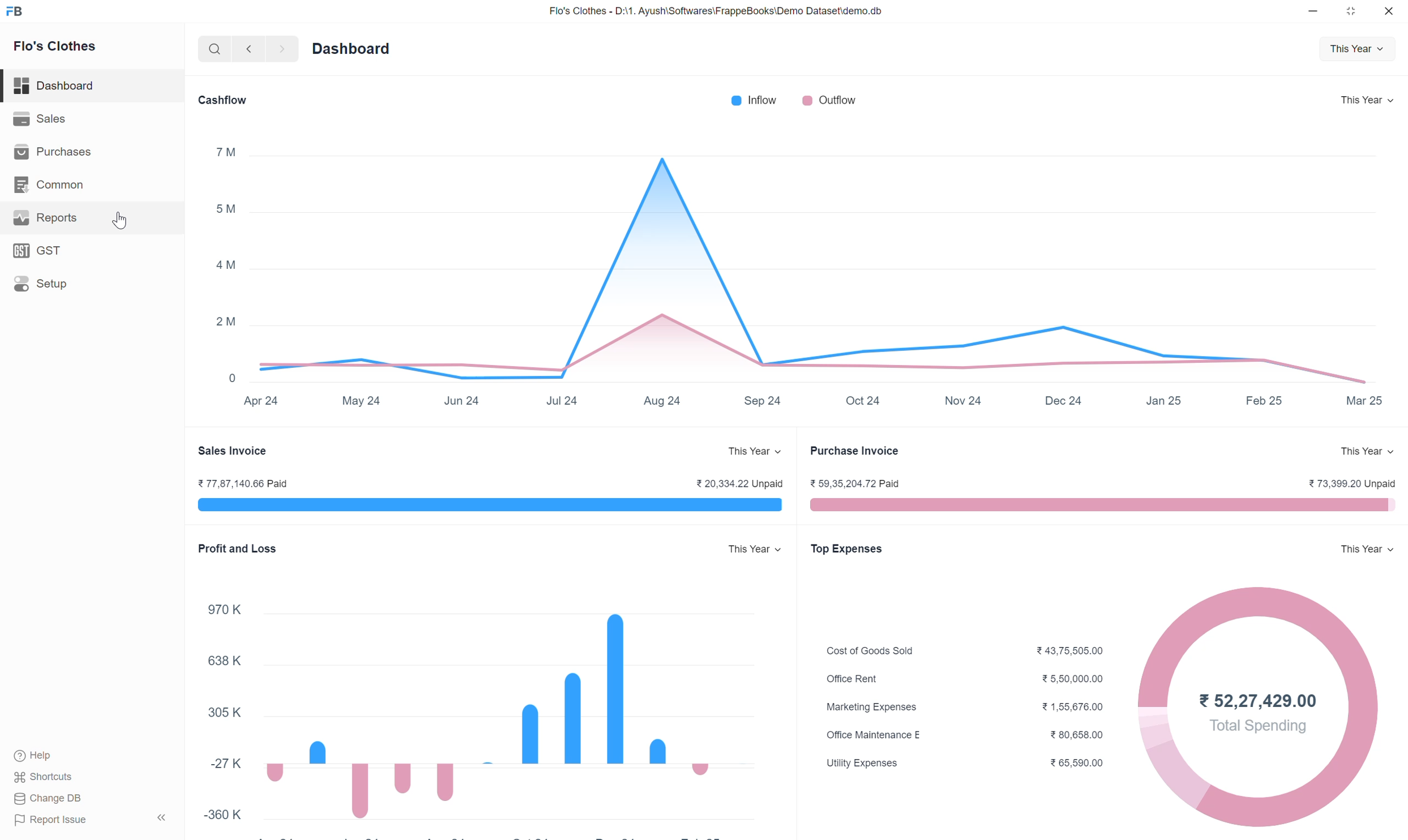 This screenshot has height=840, width=1408. Describe the element at coordinates (1365, 448) in the screenshot. I see `This Year` at that location.